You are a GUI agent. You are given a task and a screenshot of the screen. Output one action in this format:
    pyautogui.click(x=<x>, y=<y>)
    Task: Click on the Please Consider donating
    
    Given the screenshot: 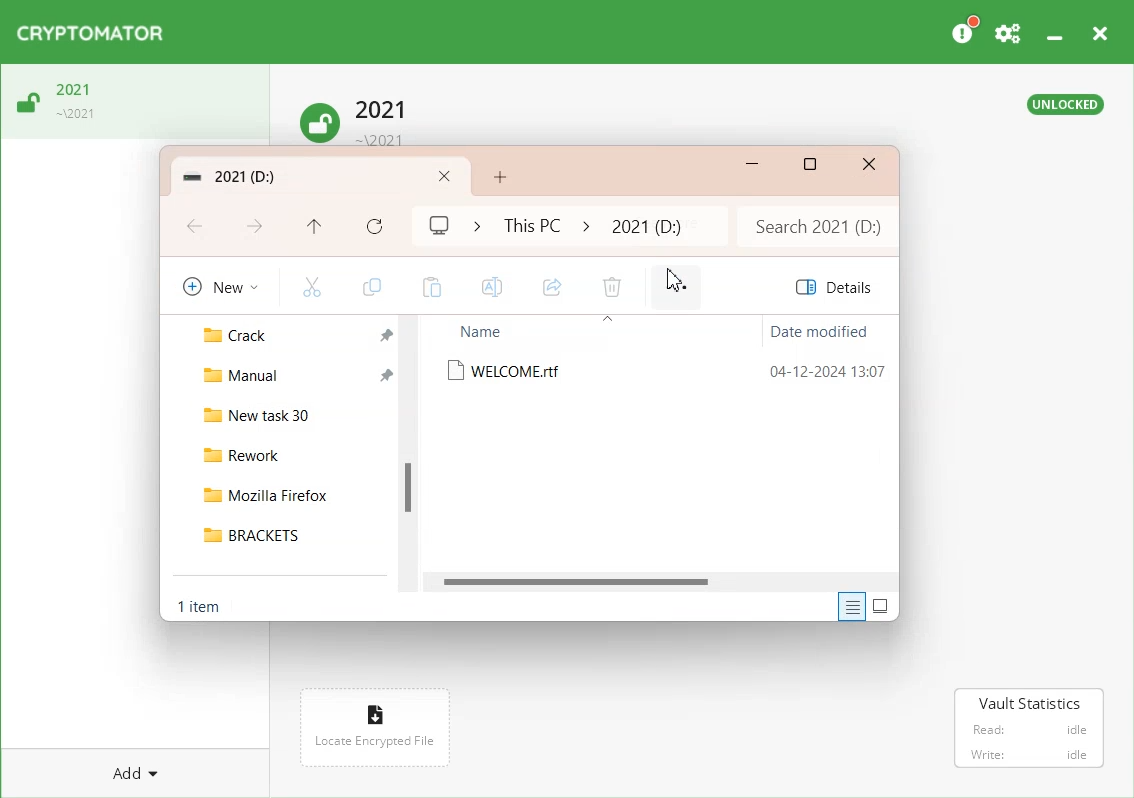 What is the action you would take?
    pyautogui.click(x=964, y=30)
    